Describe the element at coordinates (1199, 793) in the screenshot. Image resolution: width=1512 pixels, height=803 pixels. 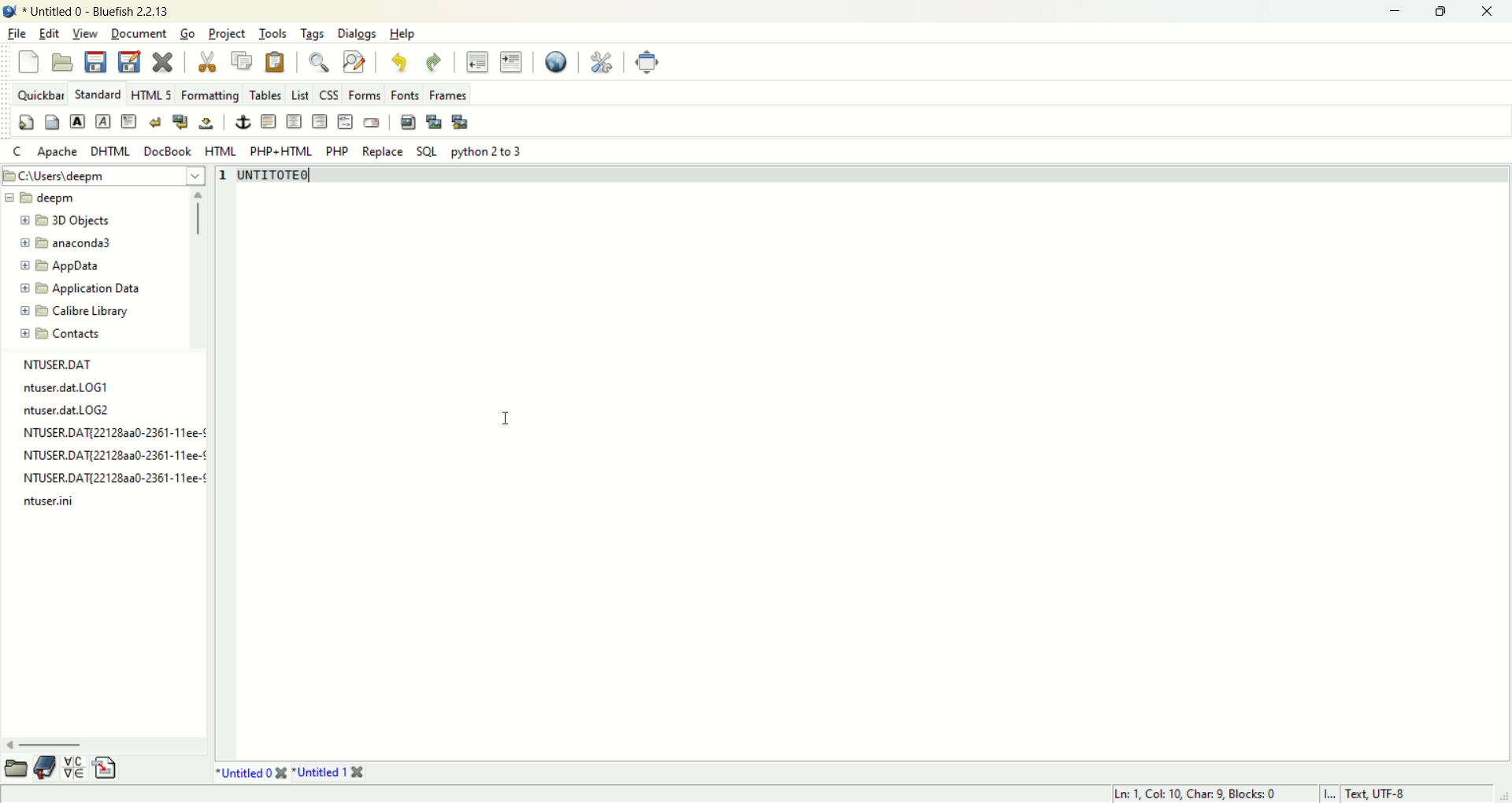
I see `Ln 1, Col 10, Char 9, Blocks:0` at that location.